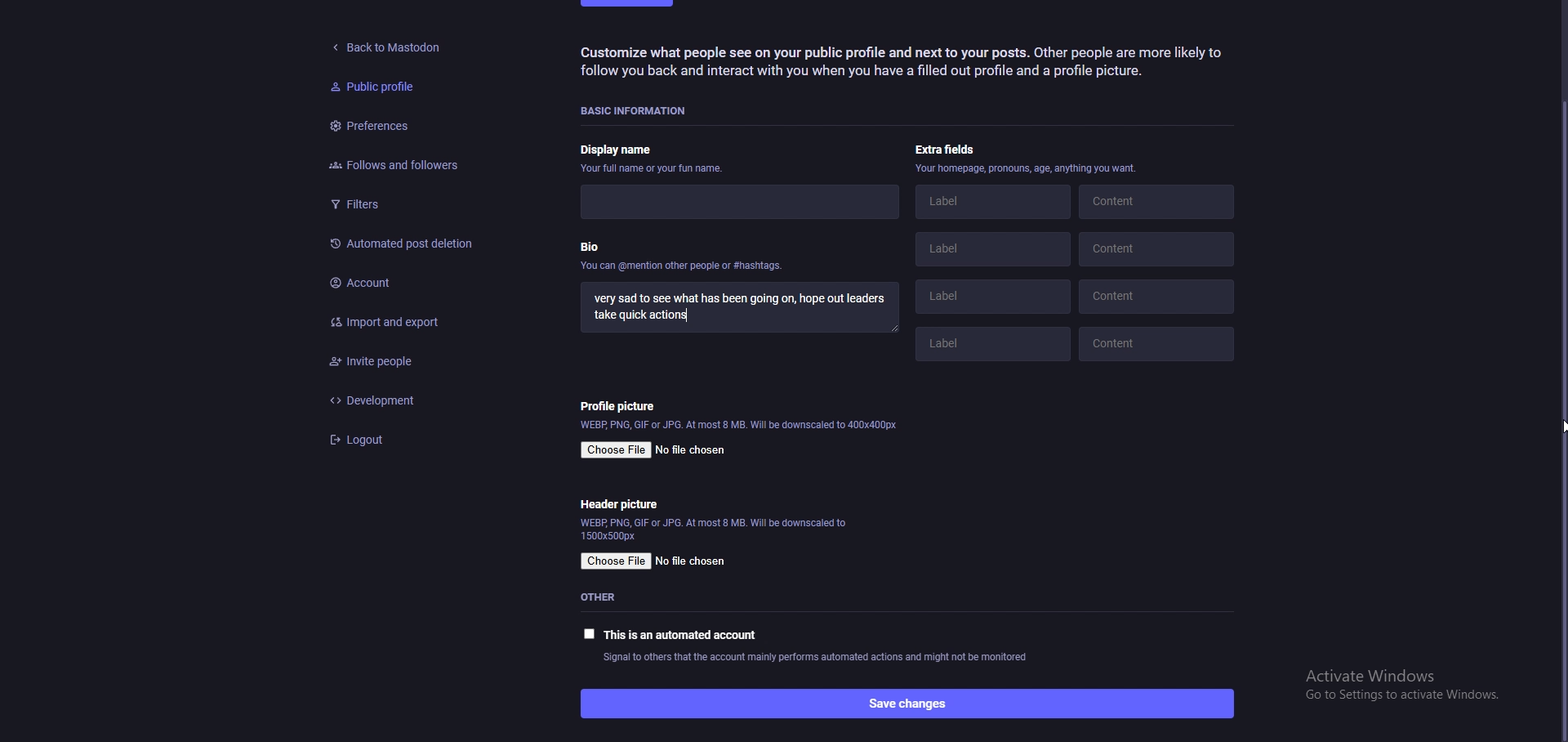 This screenshot has height=742, width=1568. Describe the element at coordinates (413, 440) in the screenshot. I see `logout` at that location.